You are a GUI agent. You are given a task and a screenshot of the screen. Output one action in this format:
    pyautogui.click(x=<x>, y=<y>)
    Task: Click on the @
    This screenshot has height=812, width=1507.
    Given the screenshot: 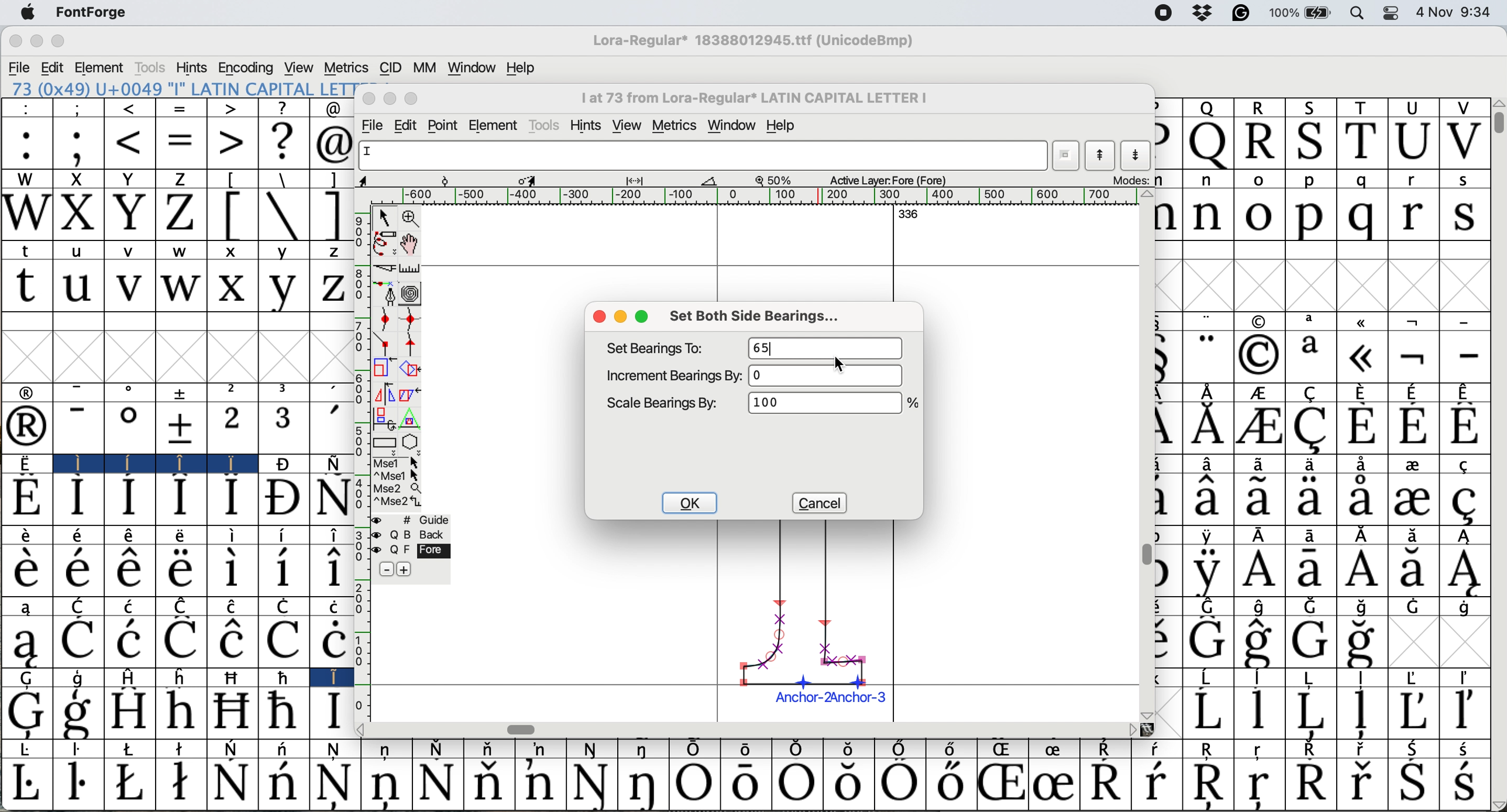 What is the action you would take?
    pyautogui.click(x=333, y=144)
    